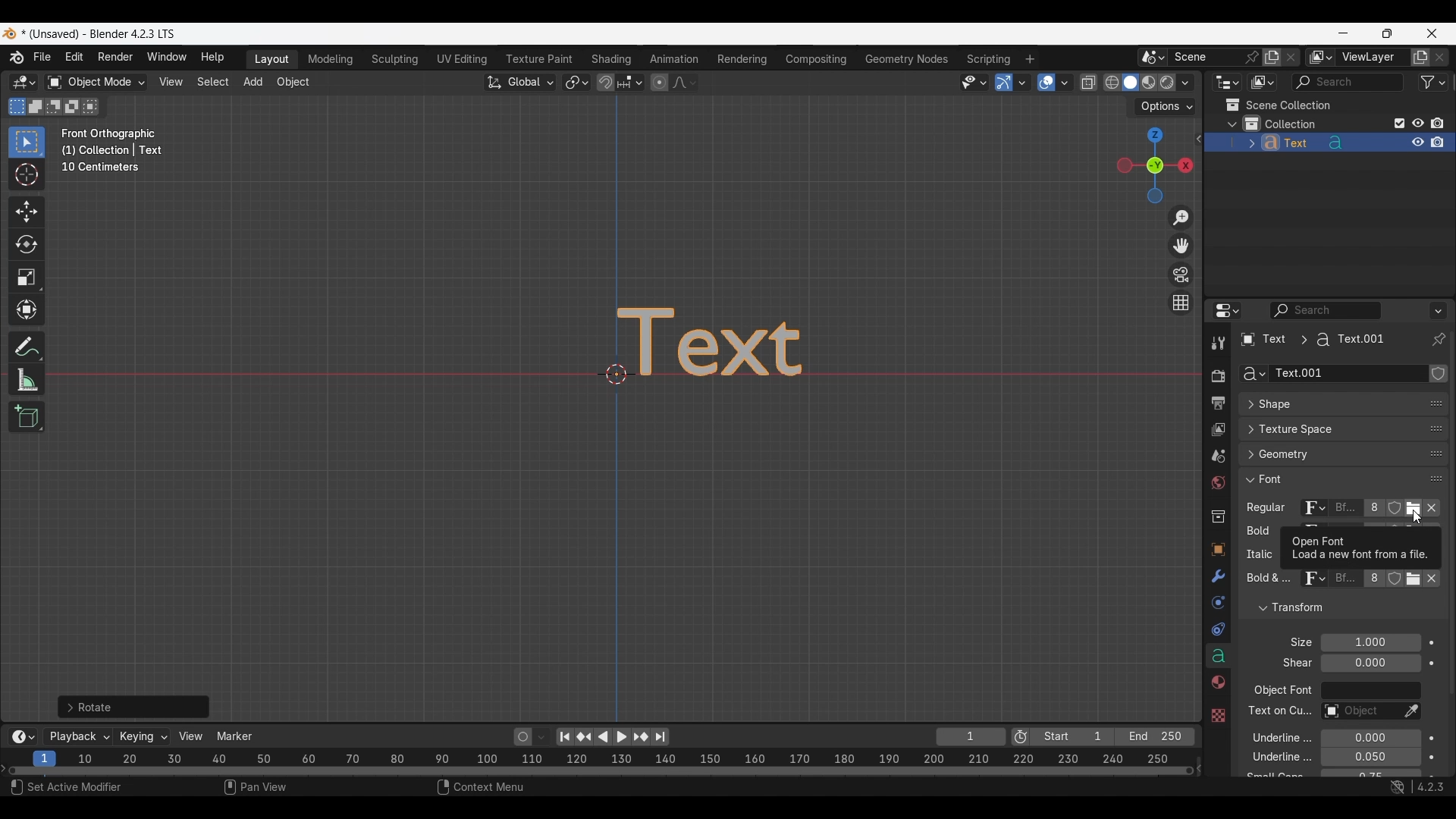 Image resolution: width=1456 pixels, height=819 pixels. What do you see at coordinates (24, 82) in the screenshot?
I see `Select editor type/3D Viewport, current selection` at bounding box center [24, 82].